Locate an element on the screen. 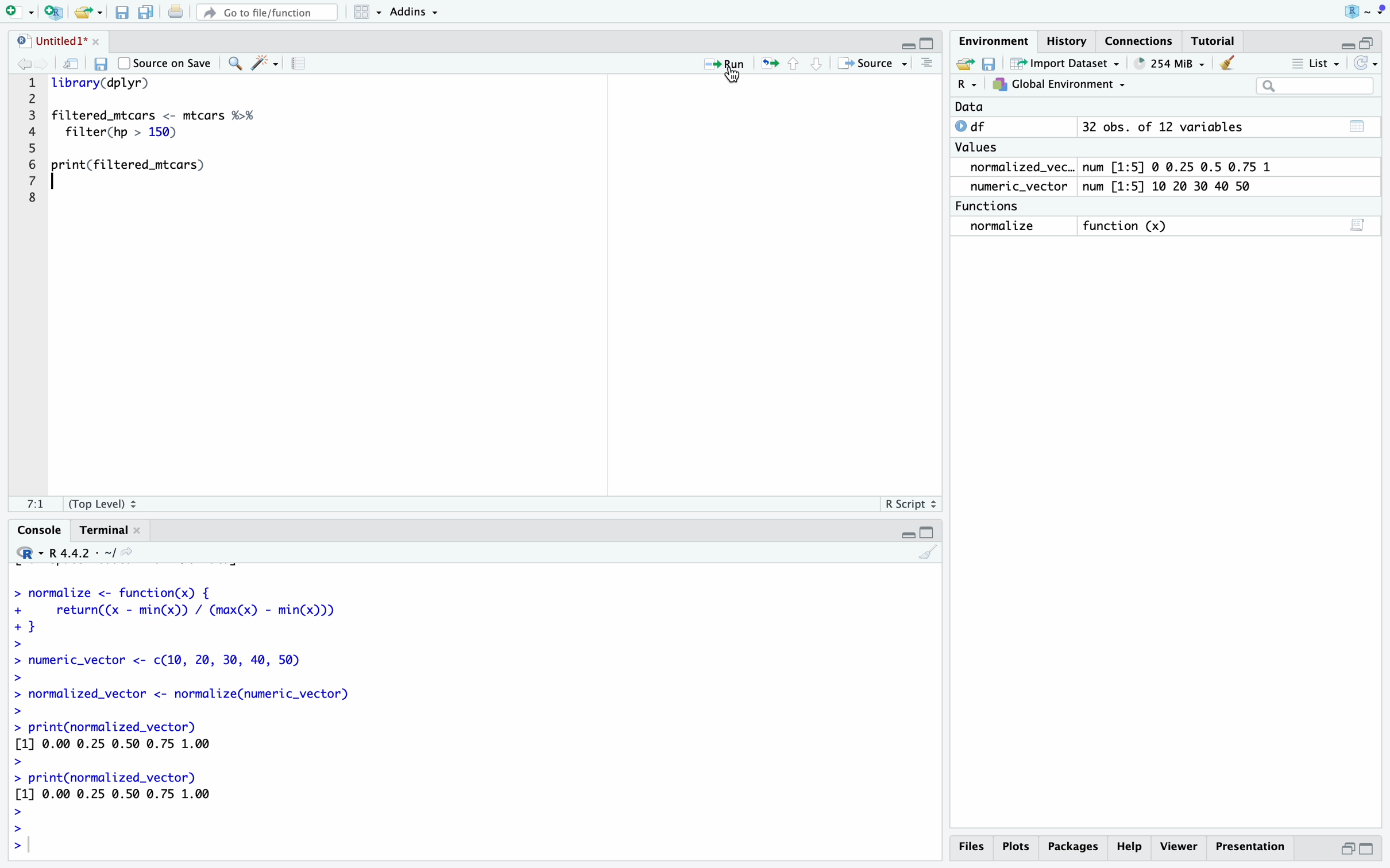 The width and height of the screenshot is (1390, 868). go back is located at coordinates (18, 64).